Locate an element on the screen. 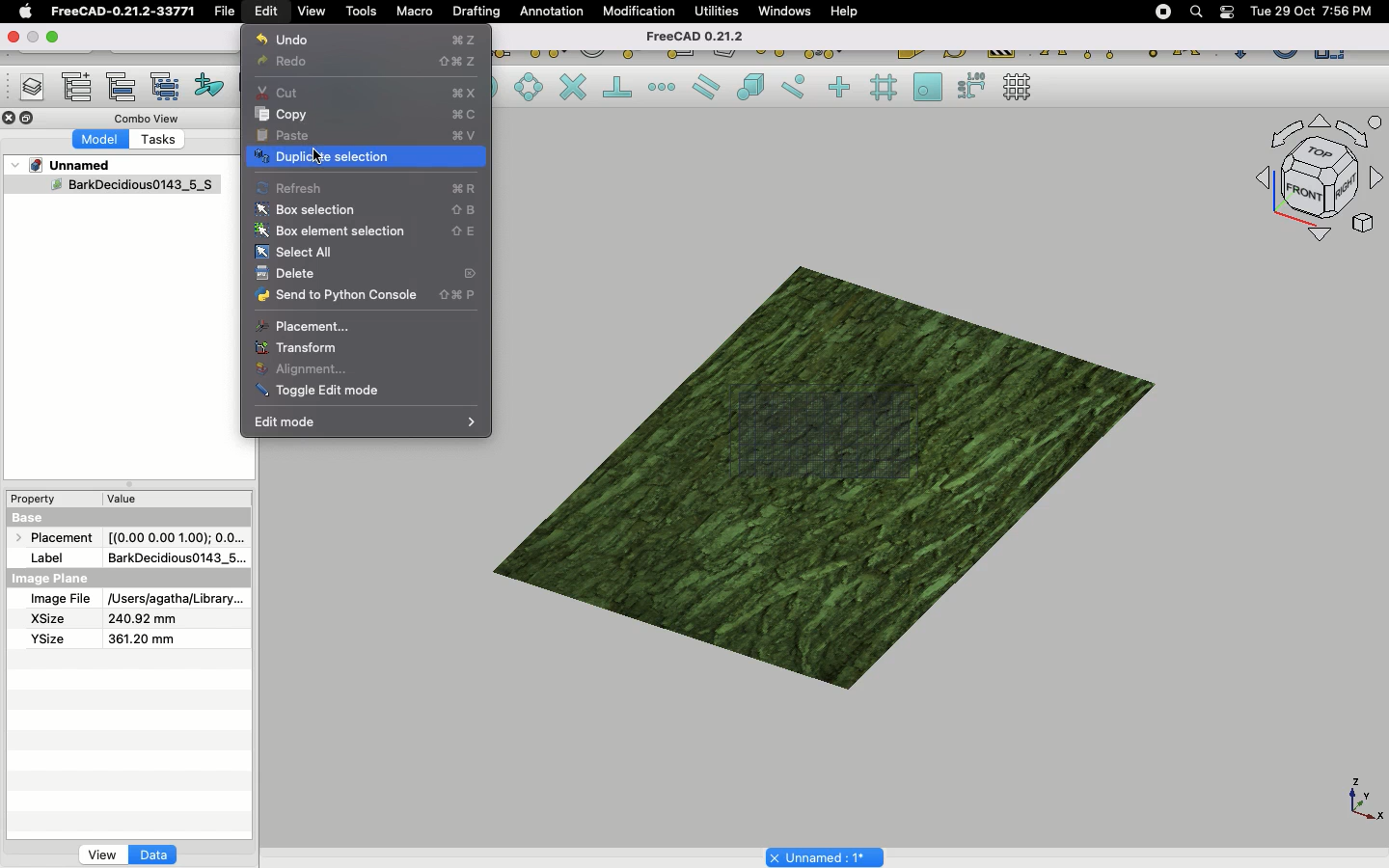  Refresh is located at coordinates (367, 187).